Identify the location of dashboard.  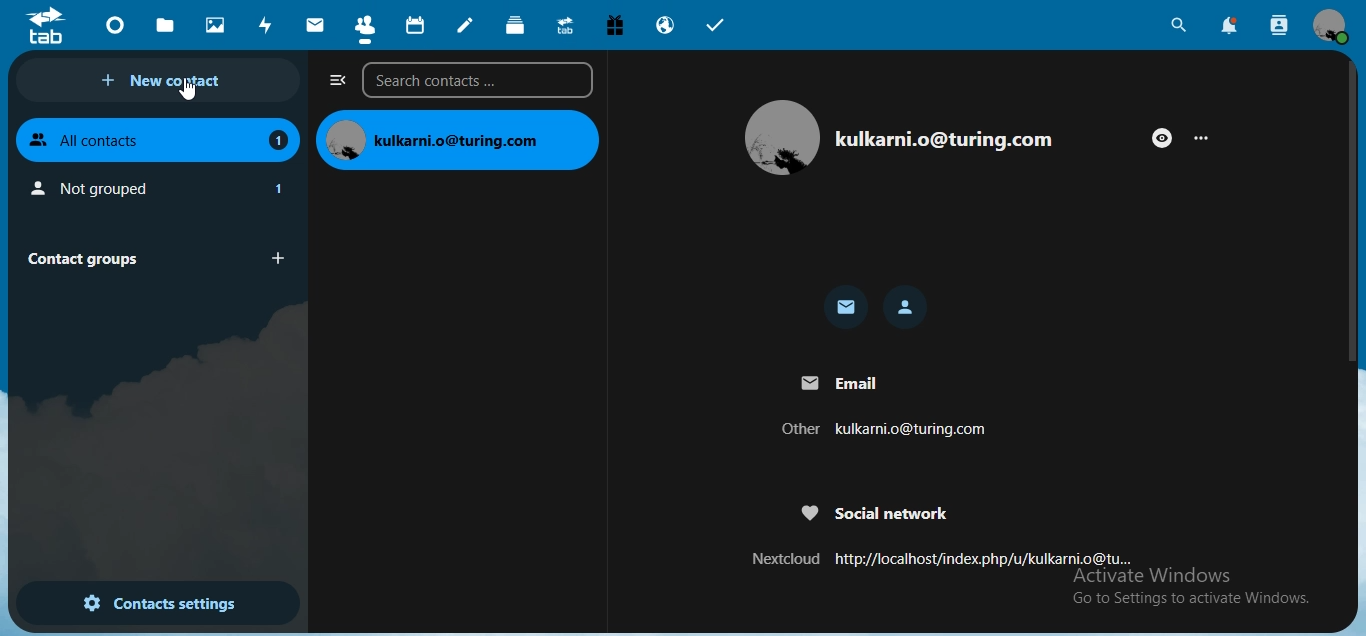
(114, 24).